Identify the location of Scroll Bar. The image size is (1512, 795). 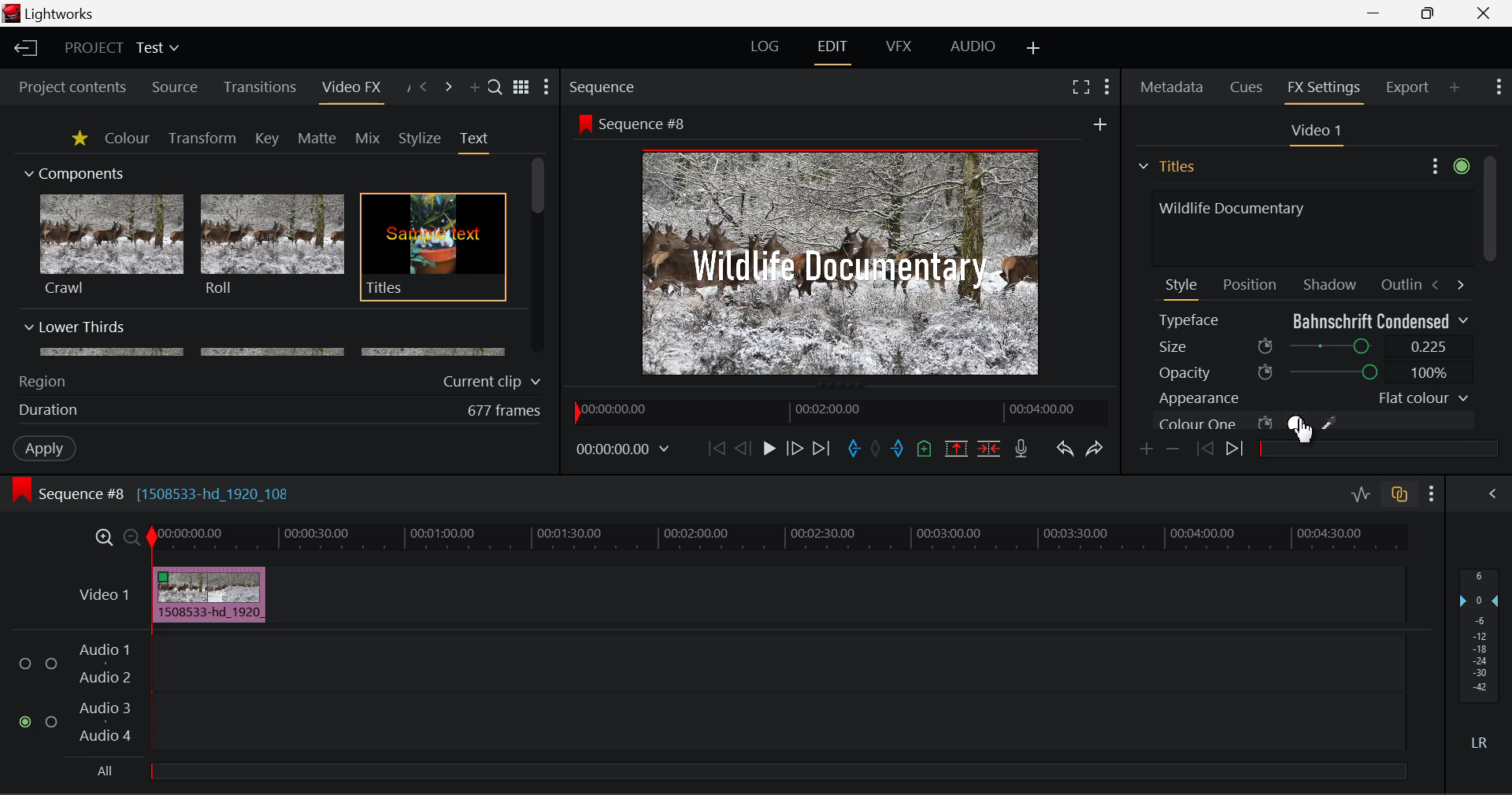
(539, 257).